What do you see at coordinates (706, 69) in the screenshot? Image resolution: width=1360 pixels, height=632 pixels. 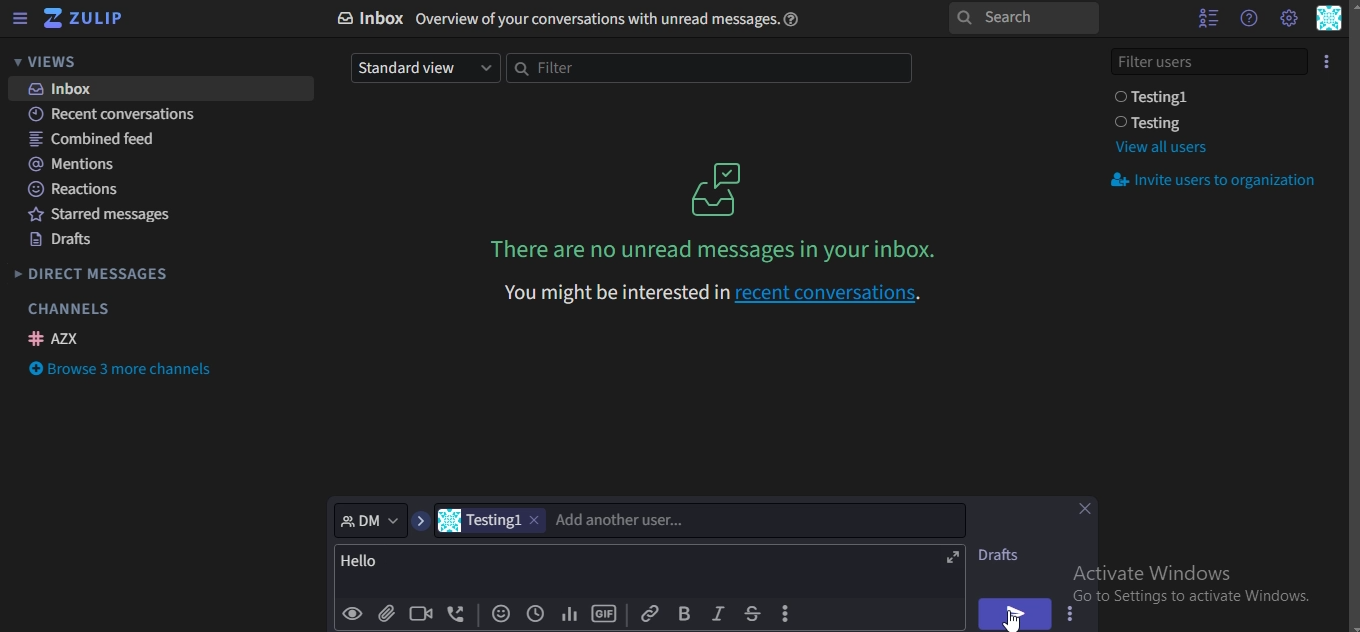 I see `filter` at bounding box center [706, 69].